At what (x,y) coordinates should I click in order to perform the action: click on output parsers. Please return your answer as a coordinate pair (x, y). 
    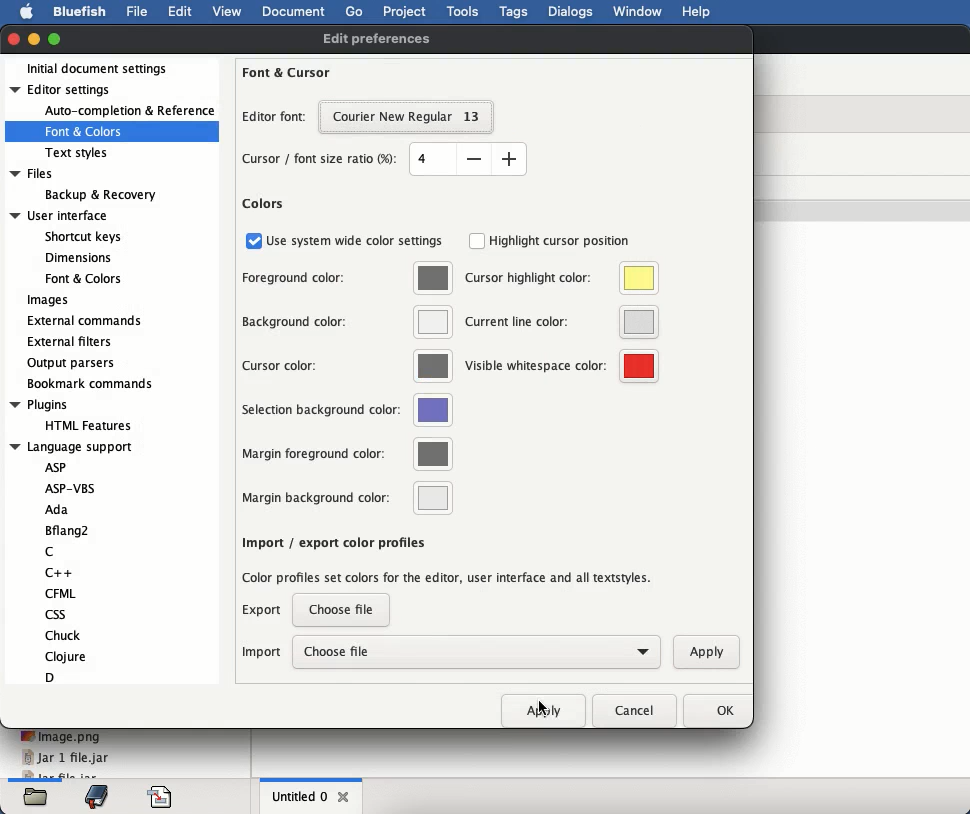
    Looking at the image, I should click on (73, 365).